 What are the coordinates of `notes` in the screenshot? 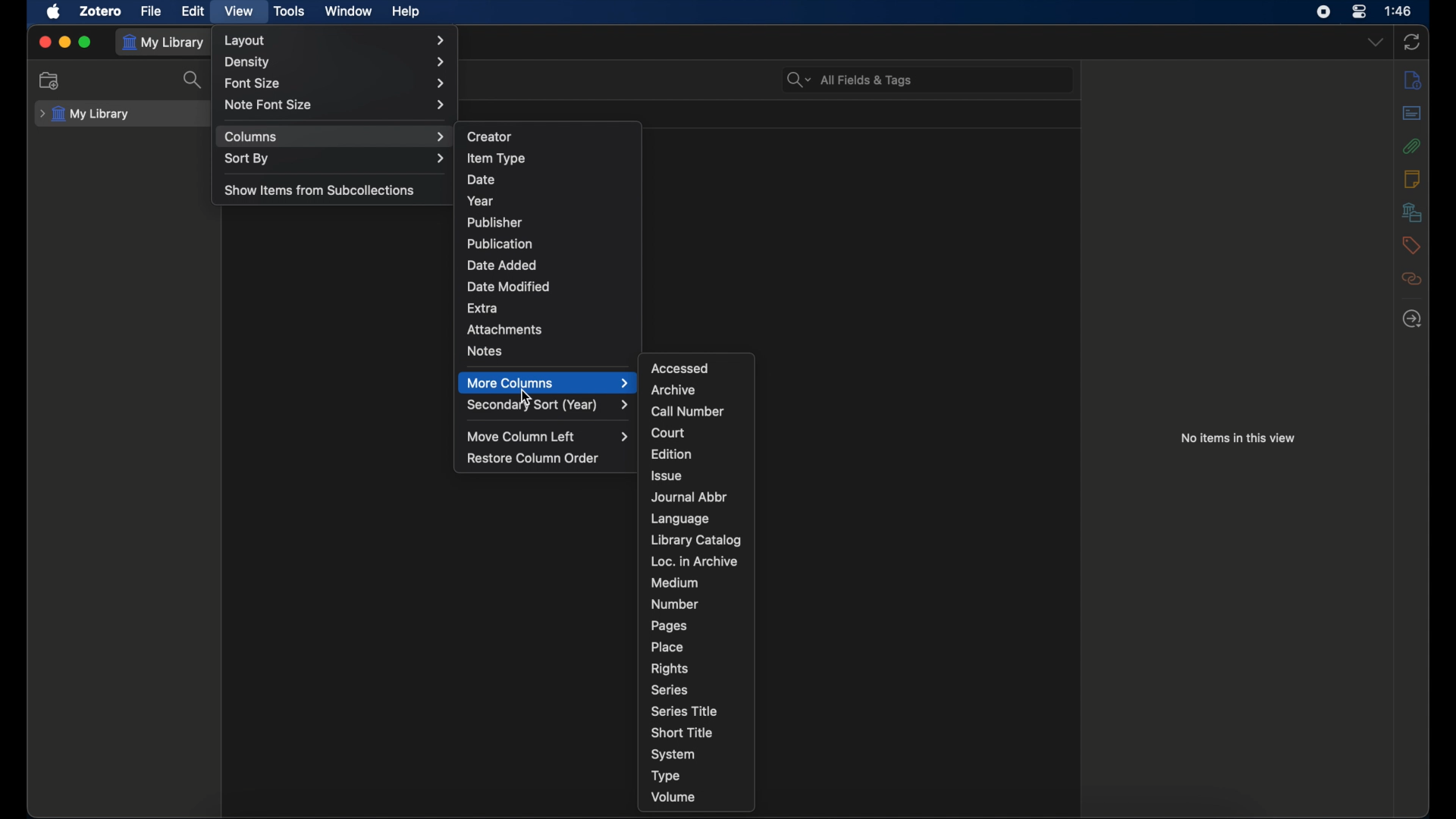 It's located at (1412, 178).